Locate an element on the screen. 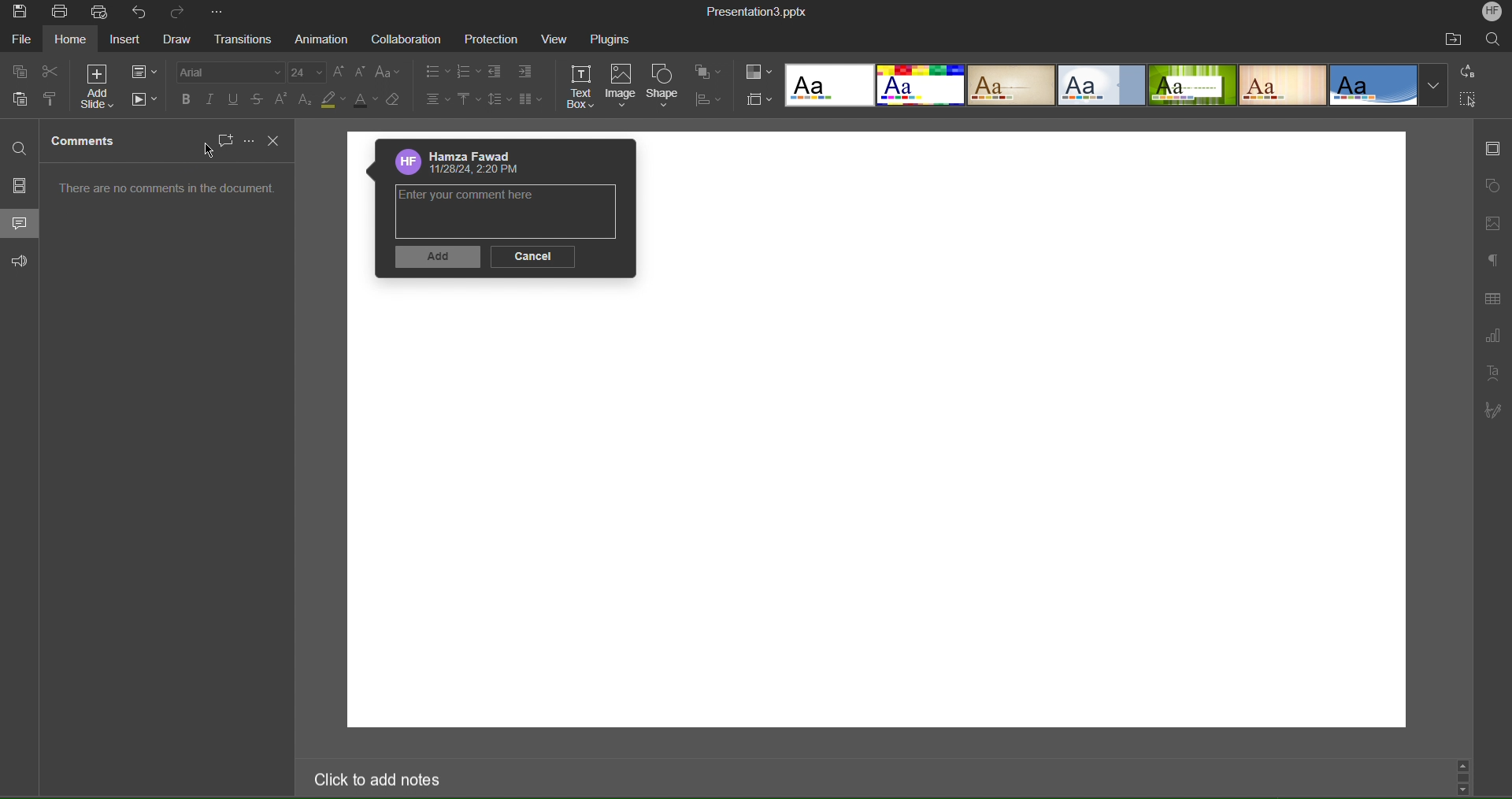 The image size is (1512, 799). Insert Image is located at coordinates (1493, 225).